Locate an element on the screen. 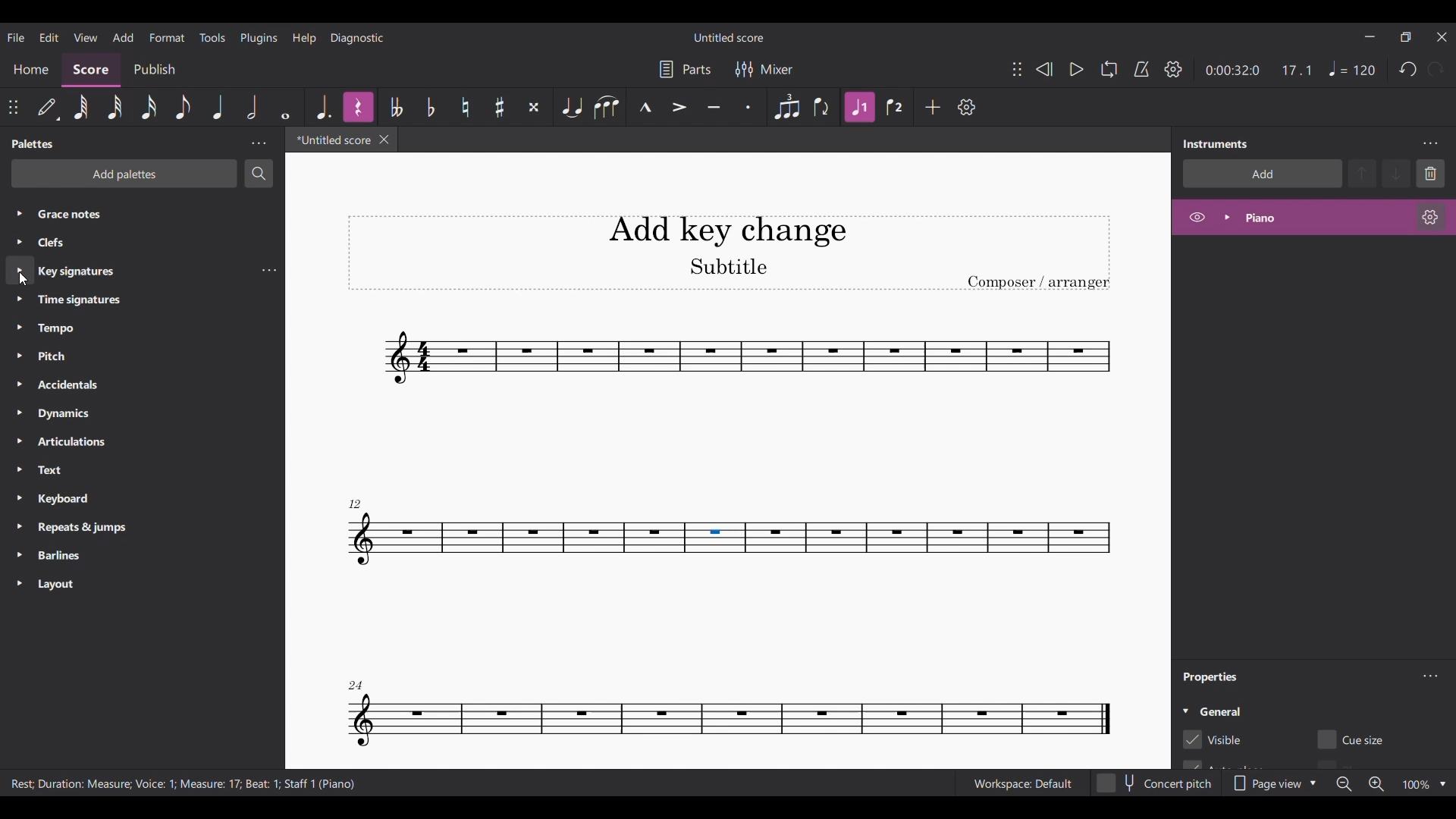 The image size is (1456, 819). Close current score is located at coordinates (384, 139).